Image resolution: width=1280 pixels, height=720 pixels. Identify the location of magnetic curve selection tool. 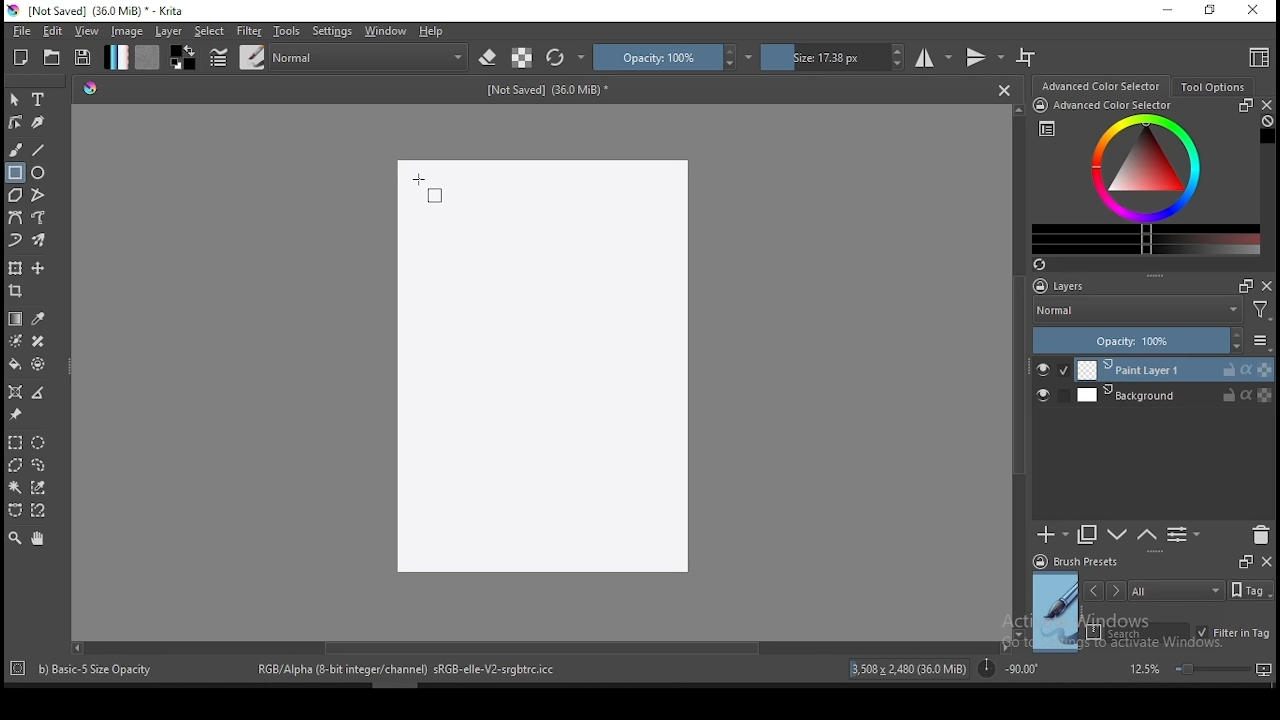
(36, 510).